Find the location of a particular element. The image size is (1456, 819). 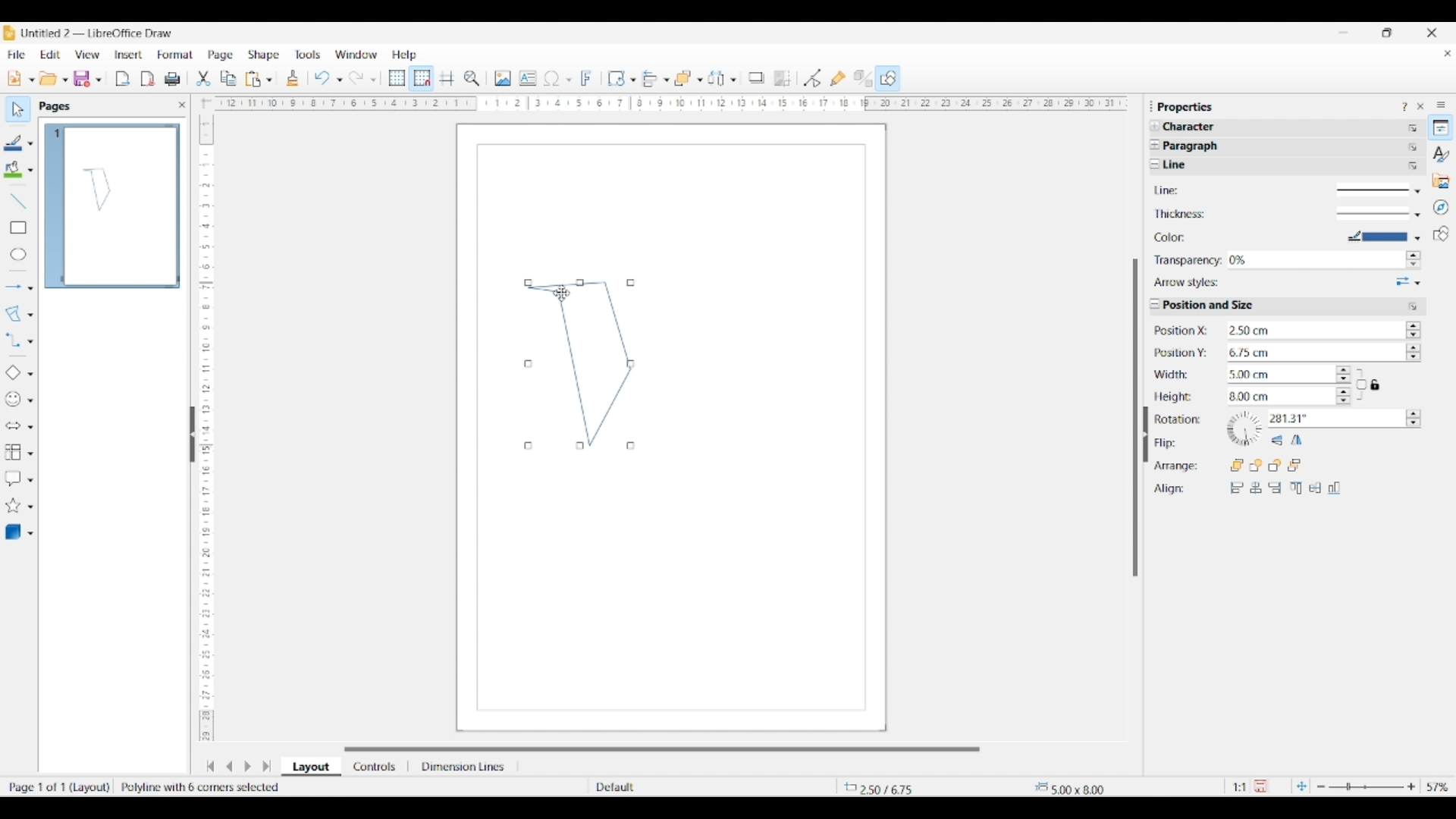

Connector options is located at coordinates (30, 341).